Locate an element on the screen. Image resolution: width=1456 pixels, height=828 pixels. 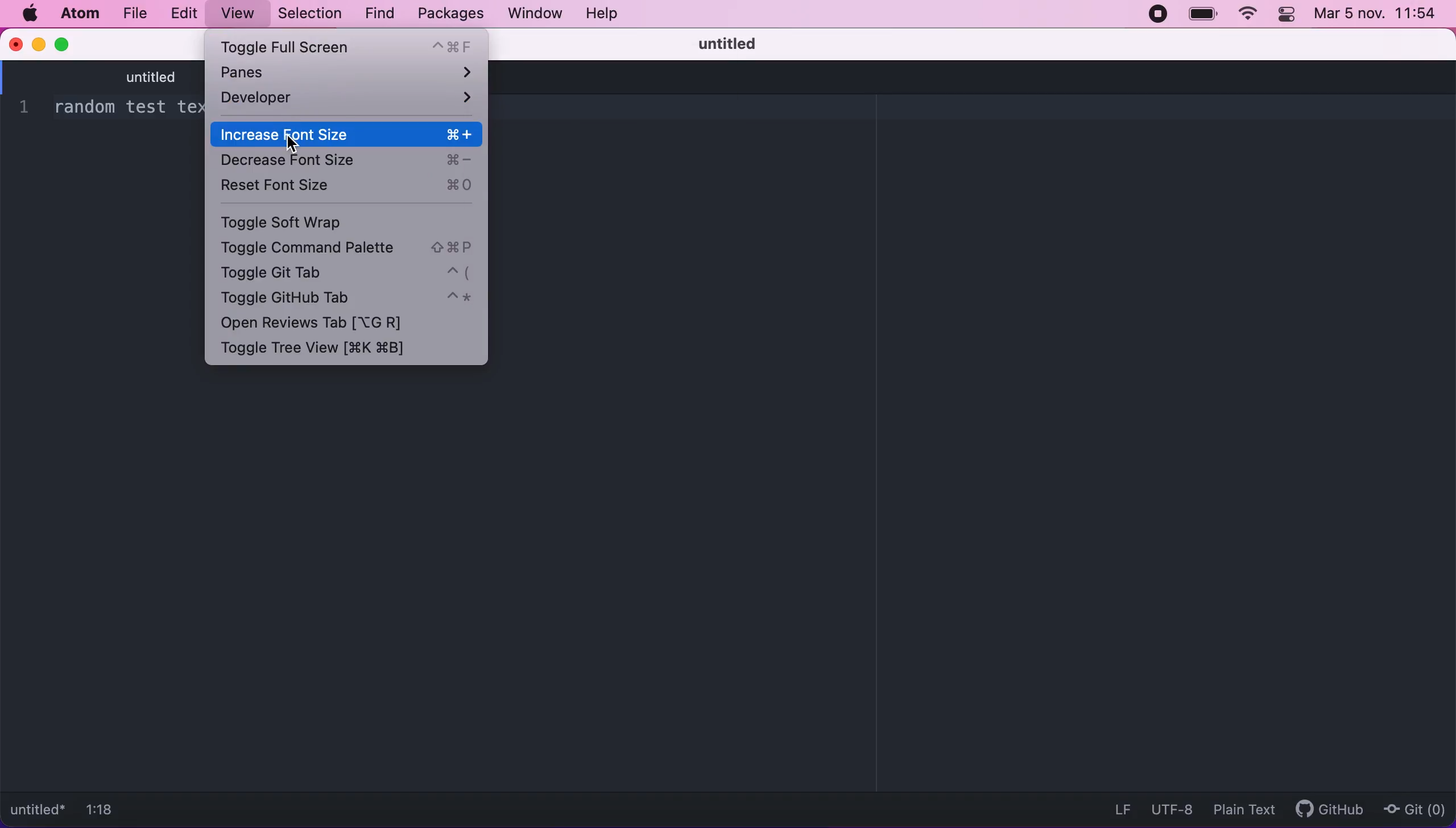
developer is located at coordinates (348, 102).